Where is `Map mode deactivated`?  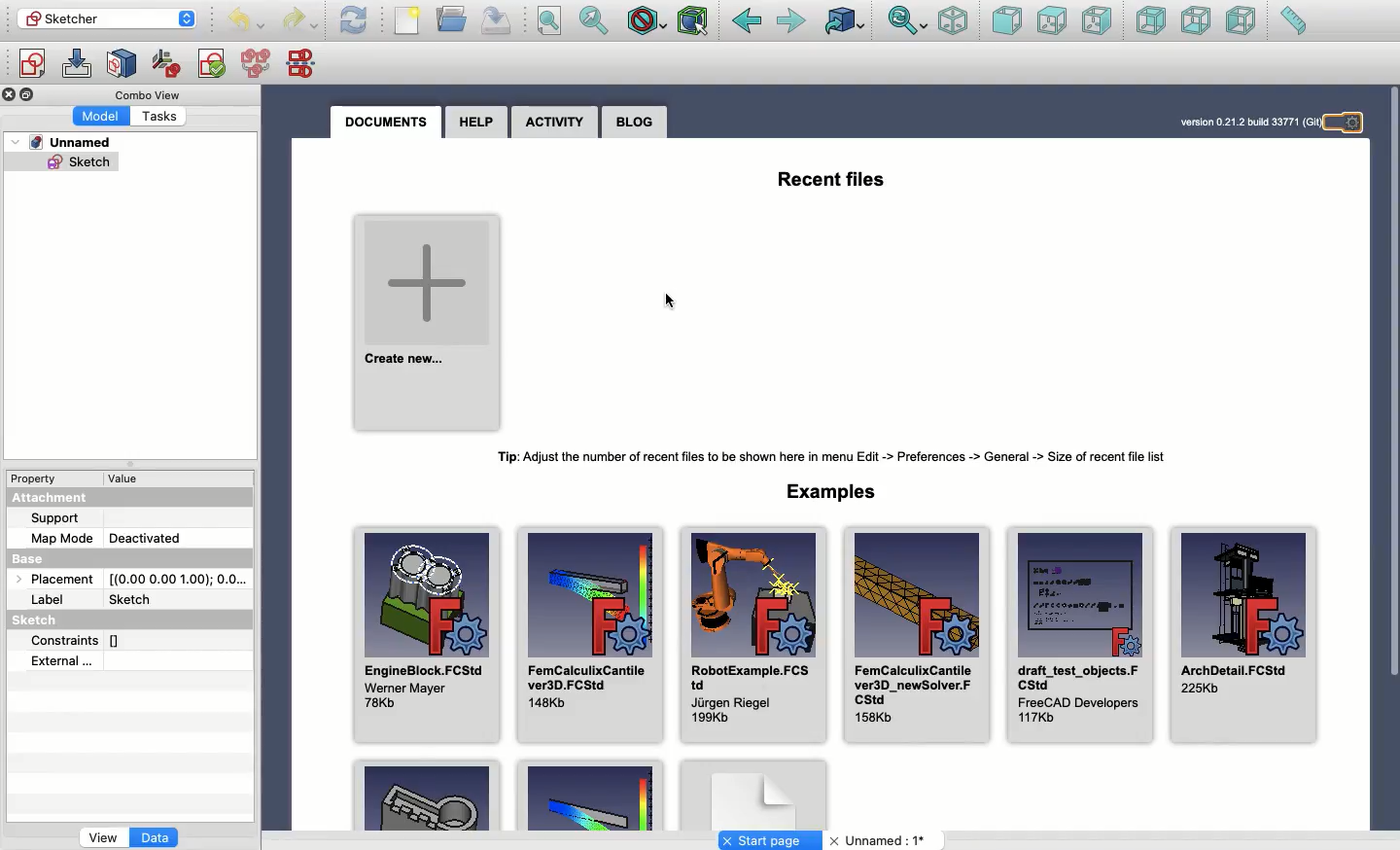 Map mode deactivated is located at coordinates (109, 538).